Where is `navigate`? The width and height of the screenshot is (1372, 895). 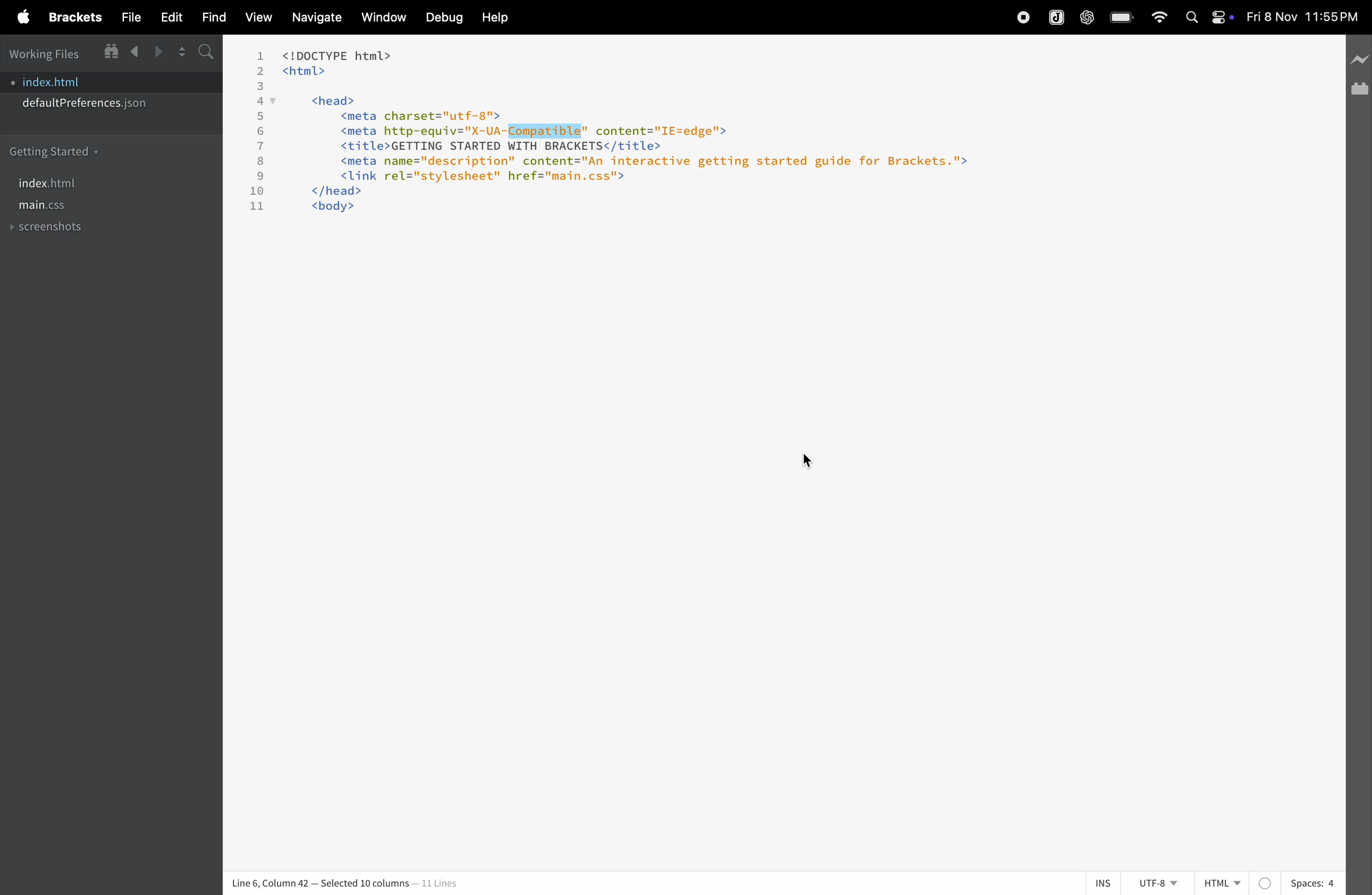 navigate is located at coordinates (311, 18).